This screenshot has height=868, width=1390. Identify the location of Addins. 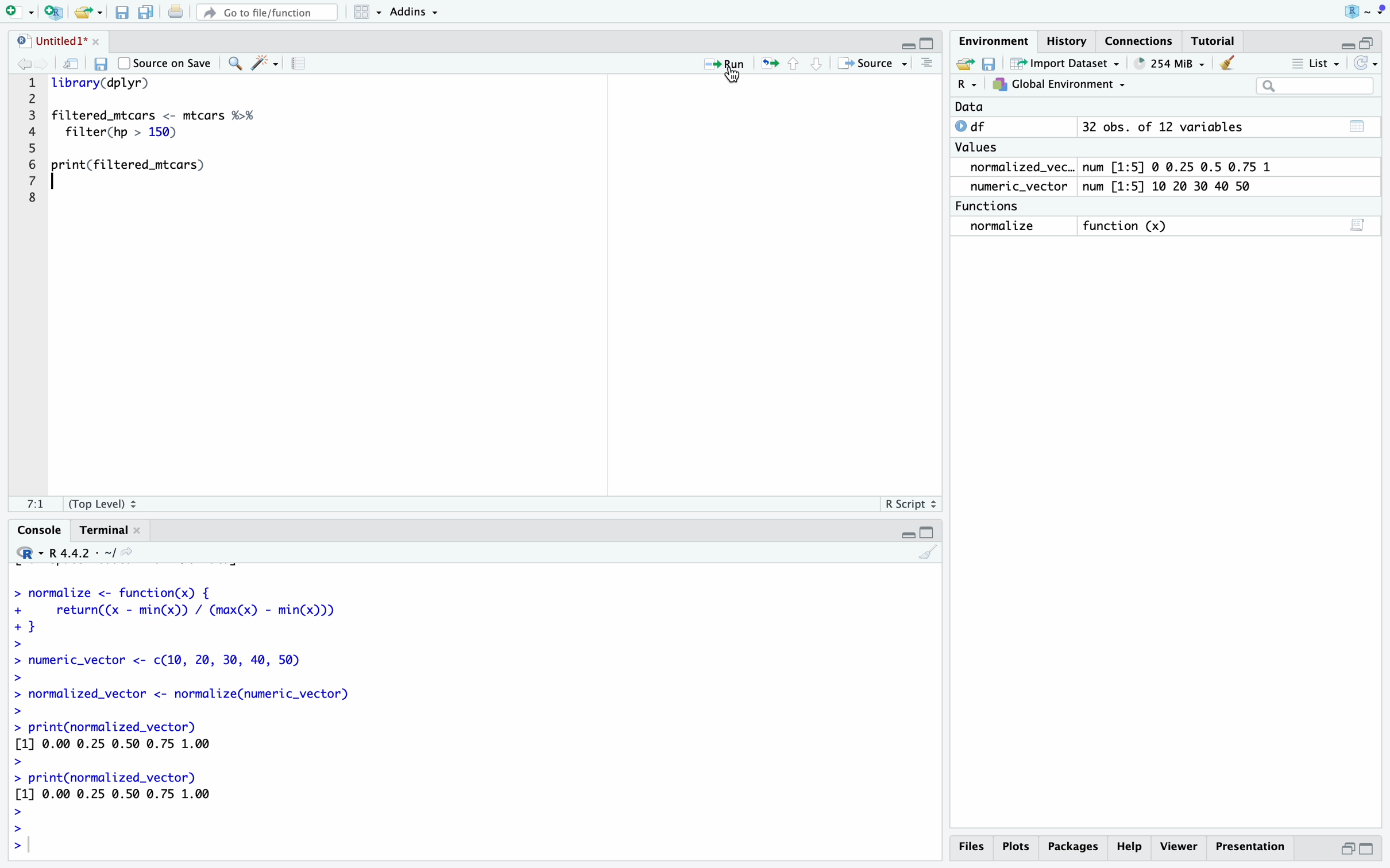
(413, 13).